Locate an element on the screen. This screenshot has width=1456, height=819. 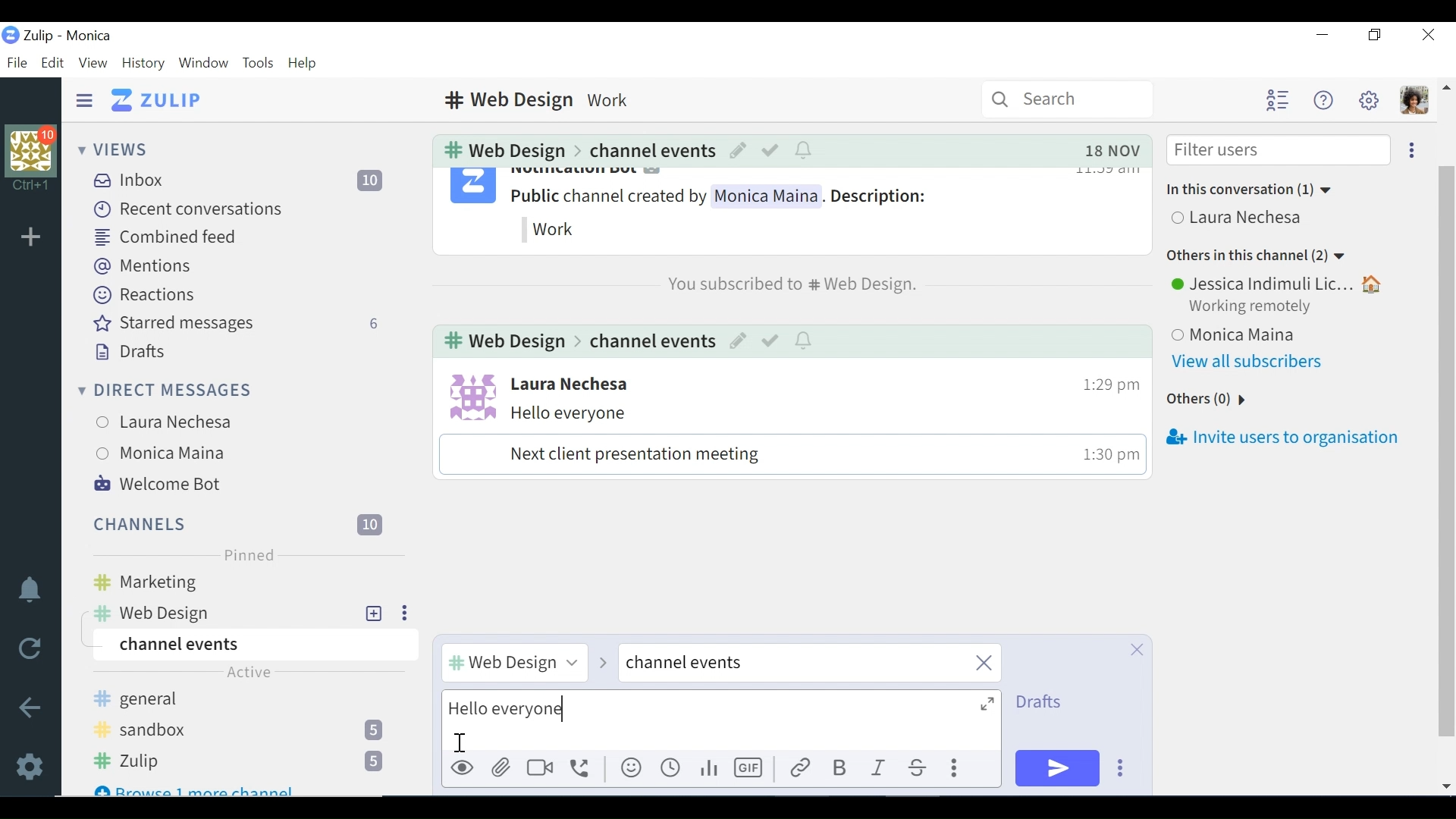
User is located at coordinates (1285, 331).